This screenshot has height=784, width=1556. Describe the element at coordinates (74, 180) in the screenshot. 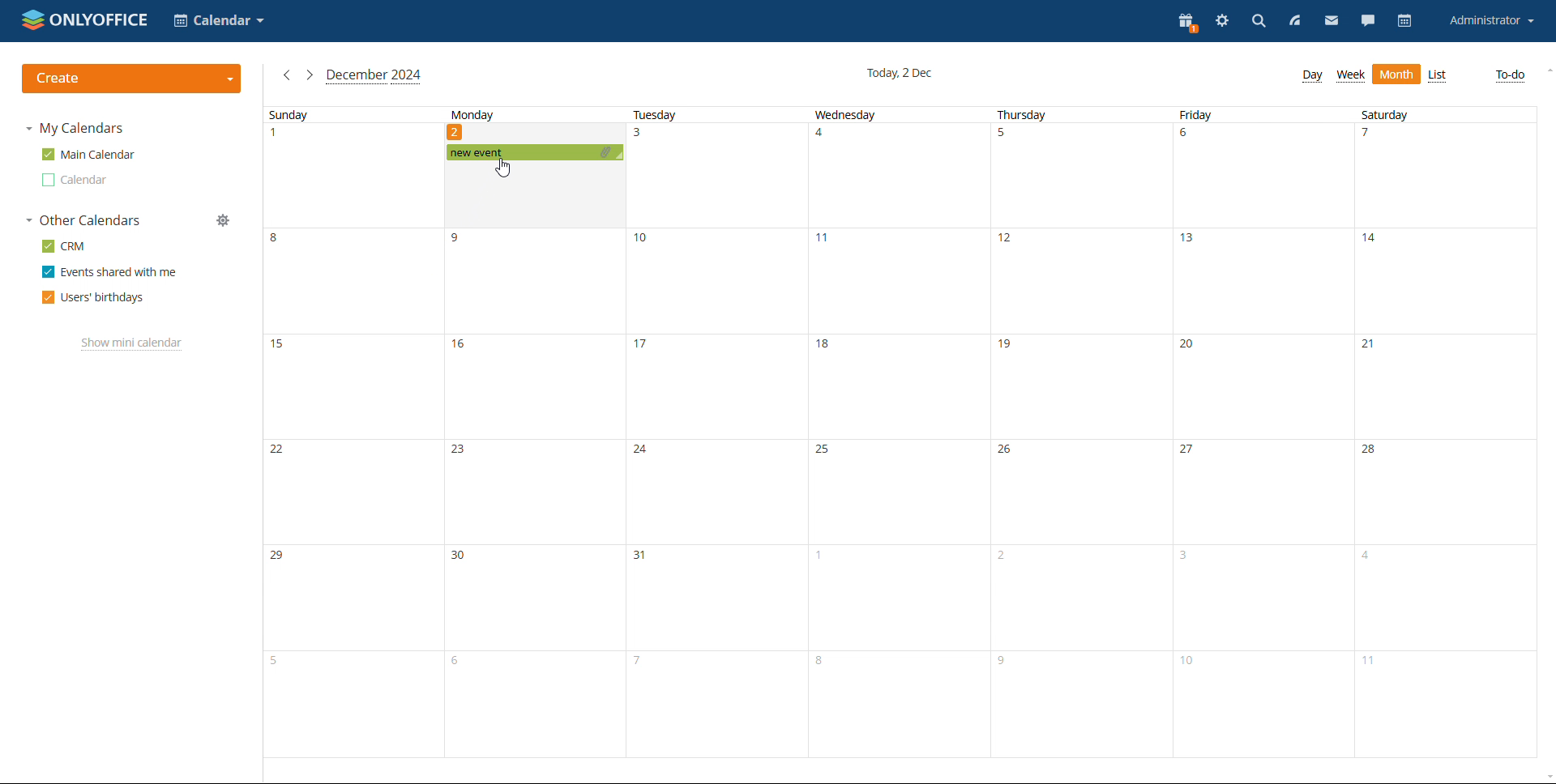

I see `Calendar` at that location.